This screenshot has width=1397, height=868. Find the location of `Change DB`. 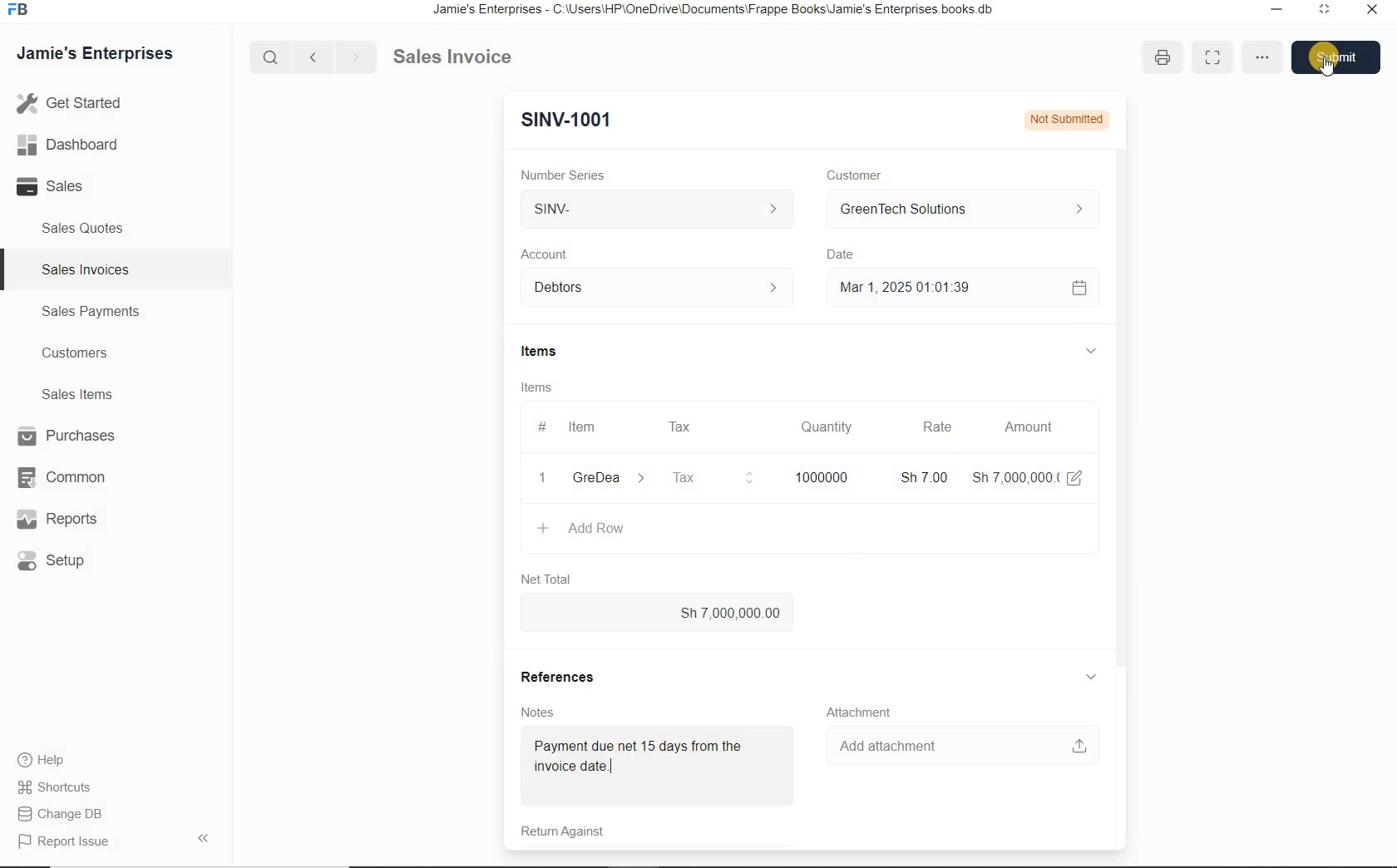

Change DB is located at coordinates (62, 813).